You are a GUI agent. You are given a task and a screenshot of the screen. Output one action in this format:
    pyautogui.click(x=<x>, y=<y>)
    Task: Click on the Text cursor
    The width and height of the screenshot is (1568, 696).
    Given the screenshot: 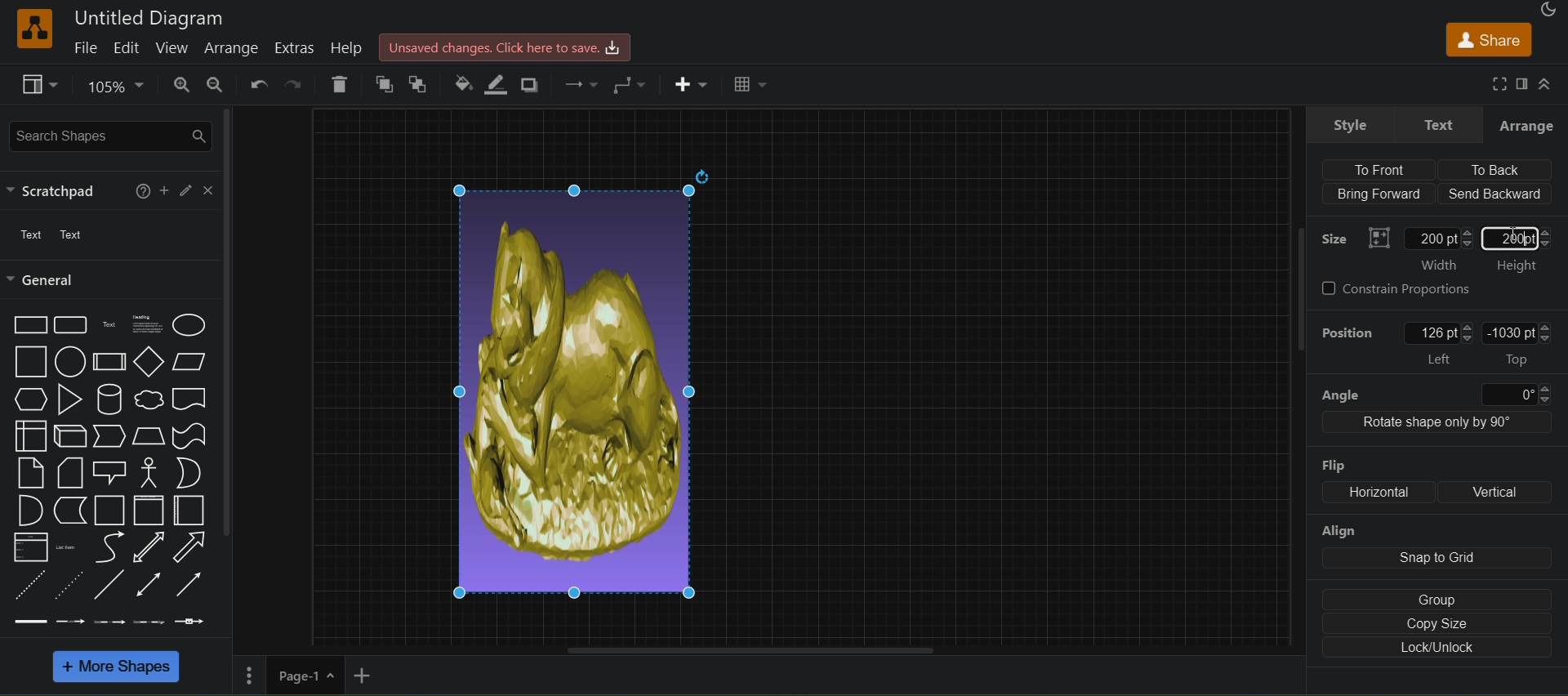 What is the action you would take?
    pyautogui.click(x=1513, y=228)
    